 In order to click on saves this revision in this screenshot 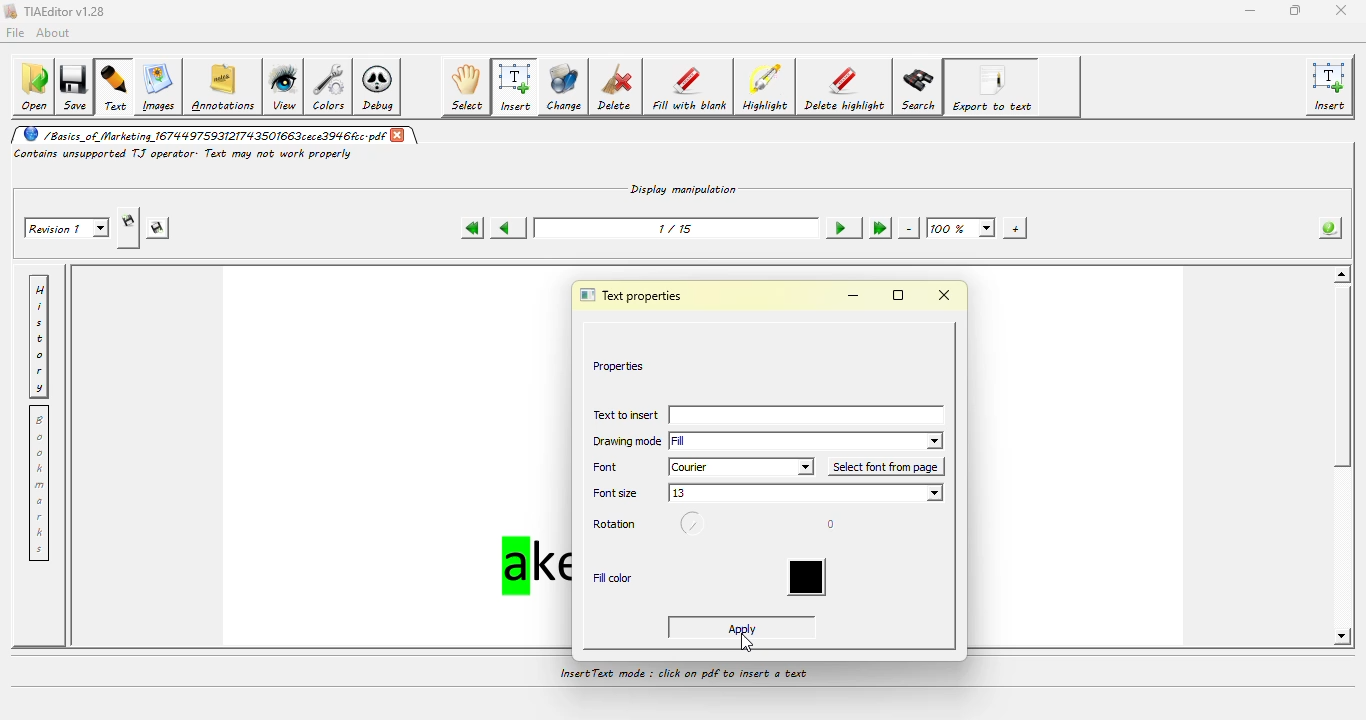, I will do `click(159, 229)`.